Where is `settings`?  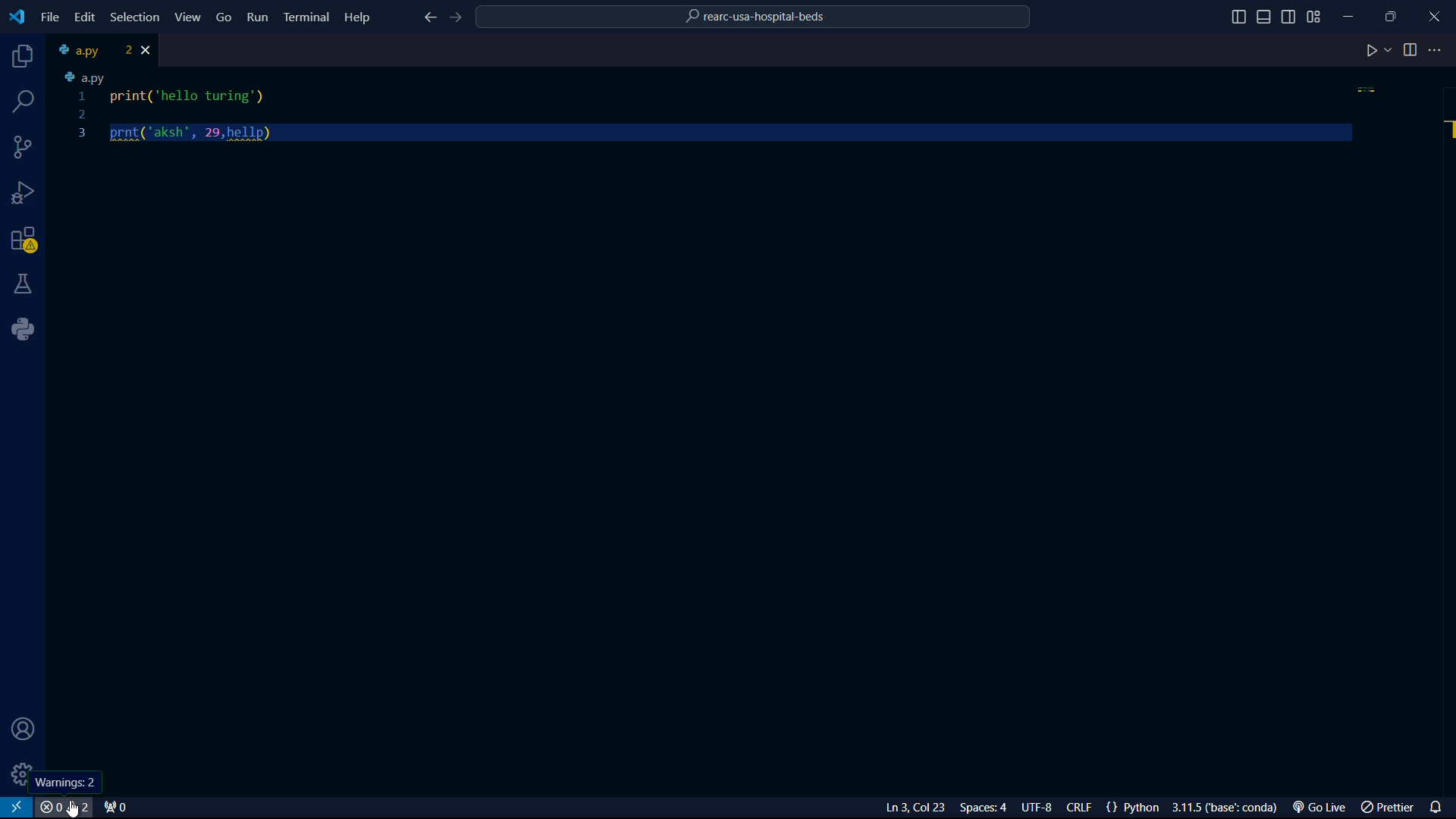
settings is located at coordinates (18, 773).